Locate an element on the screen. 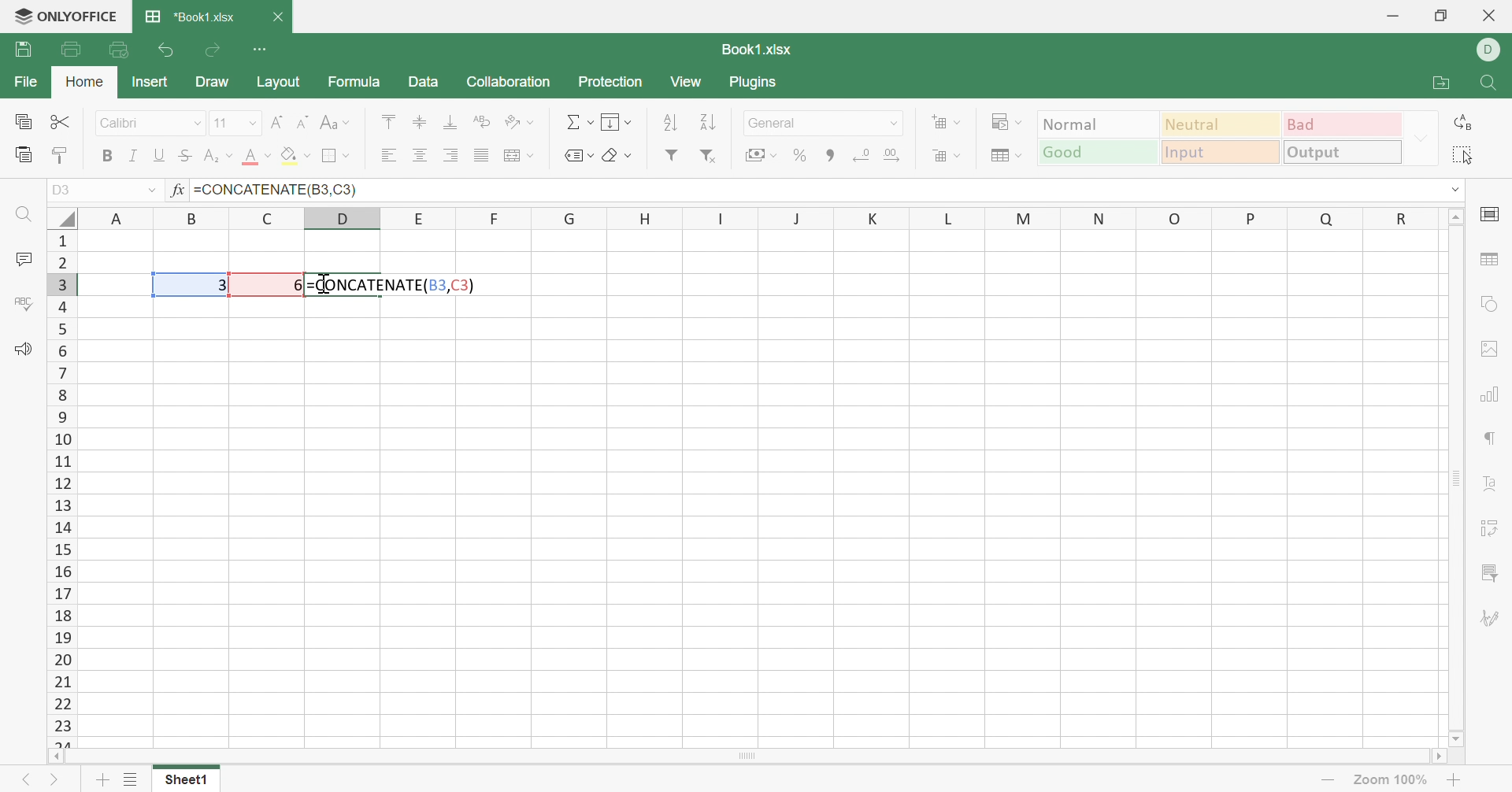  Merge & center is located at coordinates (516, 157).